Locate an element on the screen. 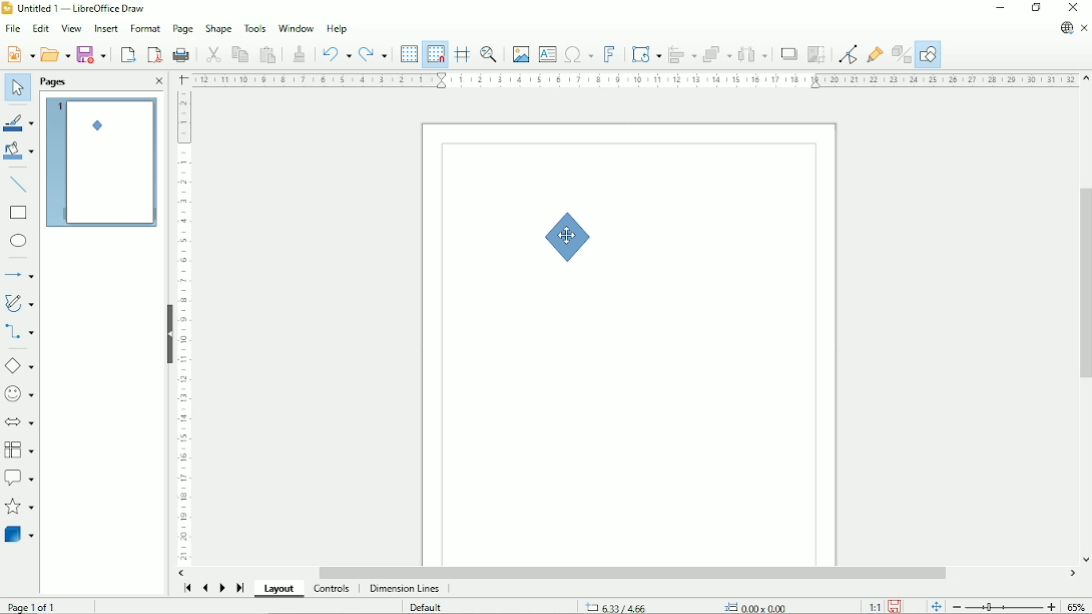  Export is located at coordinates (127, 54).